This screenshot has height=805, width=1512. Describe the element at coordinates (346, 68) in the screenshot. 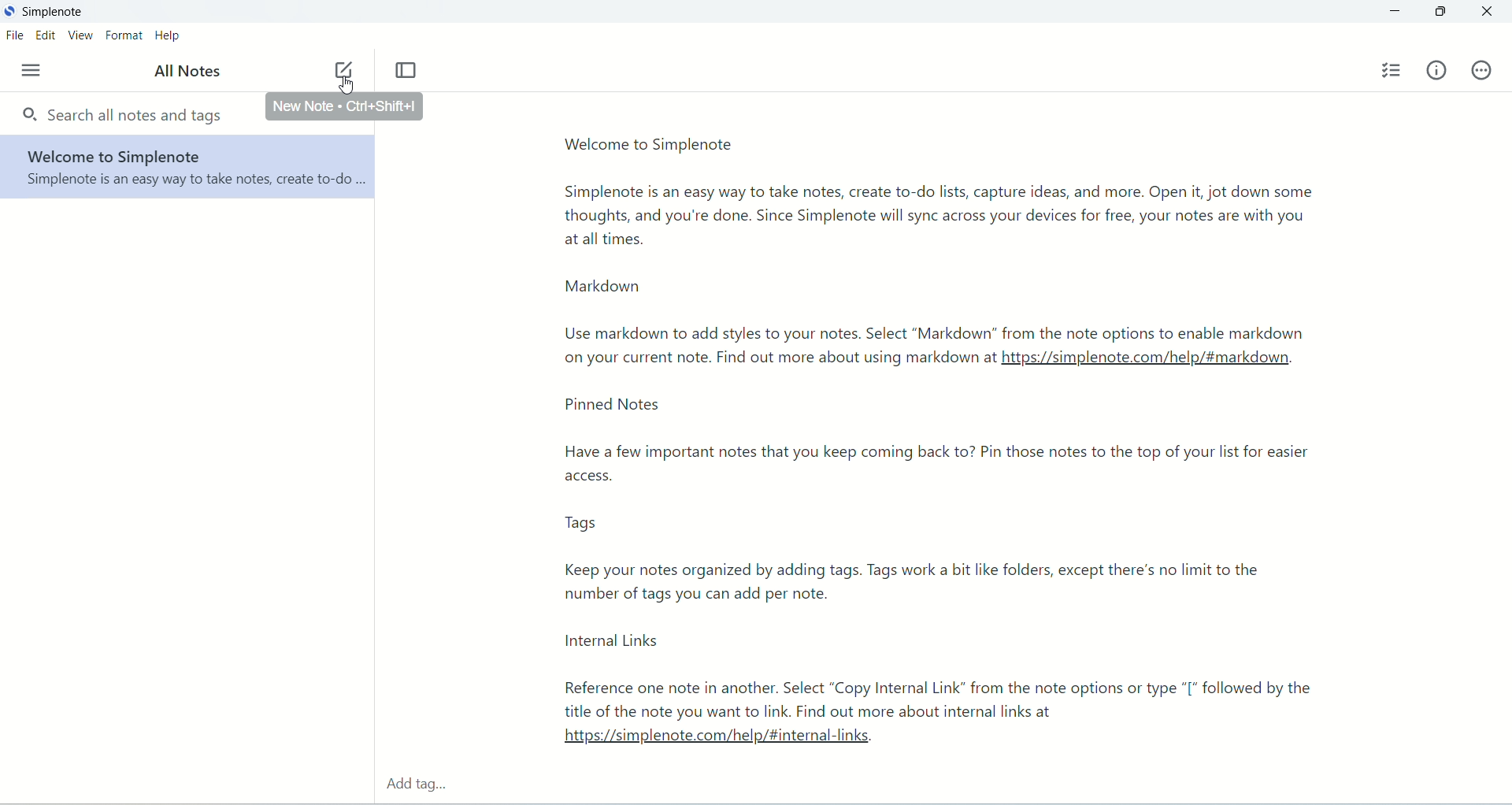

I see `new note` at that location.